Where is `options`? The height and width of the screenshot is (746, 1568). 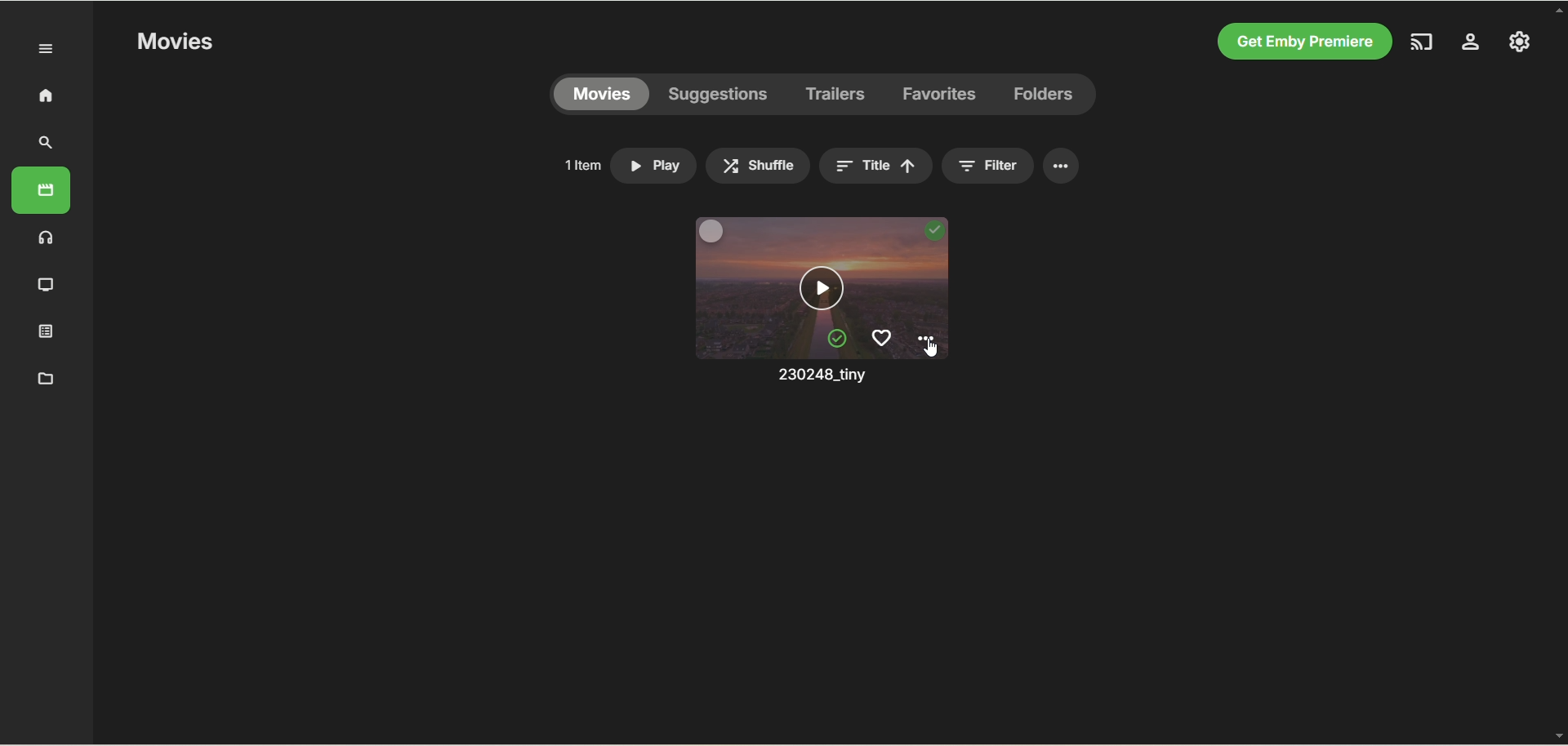
options is located at coordinates (925, 339).